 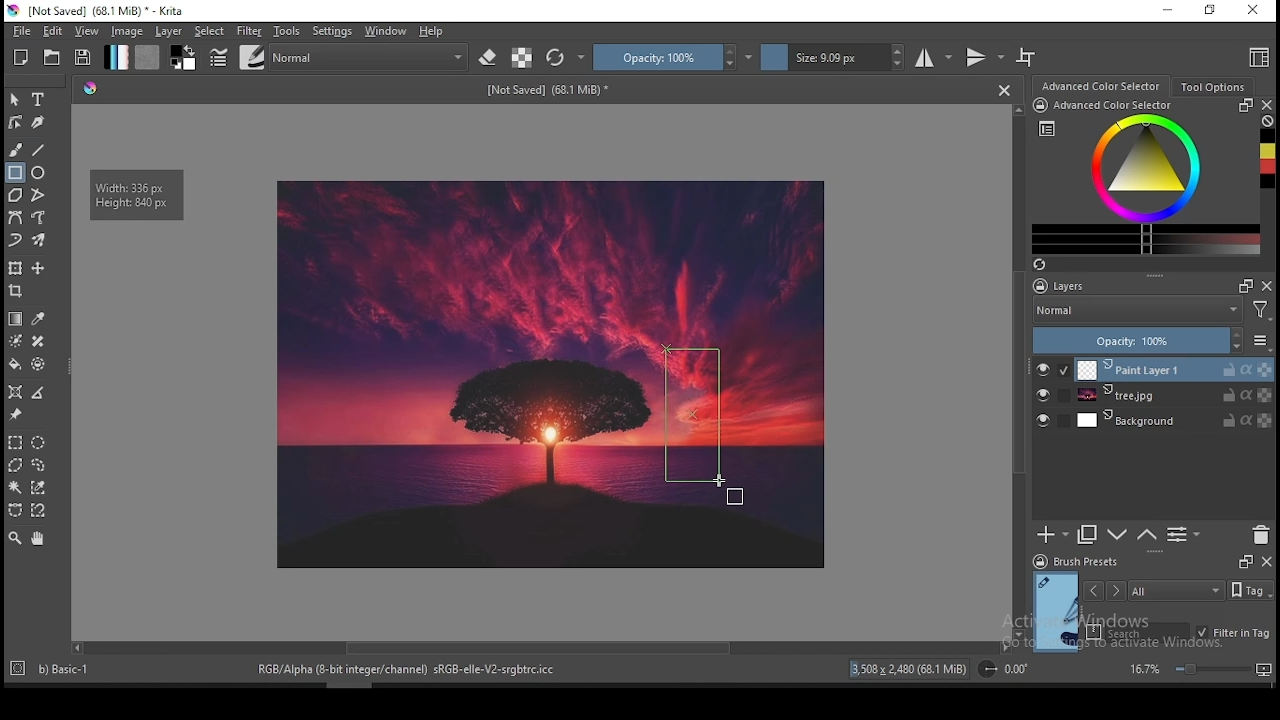 What do you see at coordinates (1169, 12) in the screenshot?
I see `minimize` at bounding box center [1169, 12].